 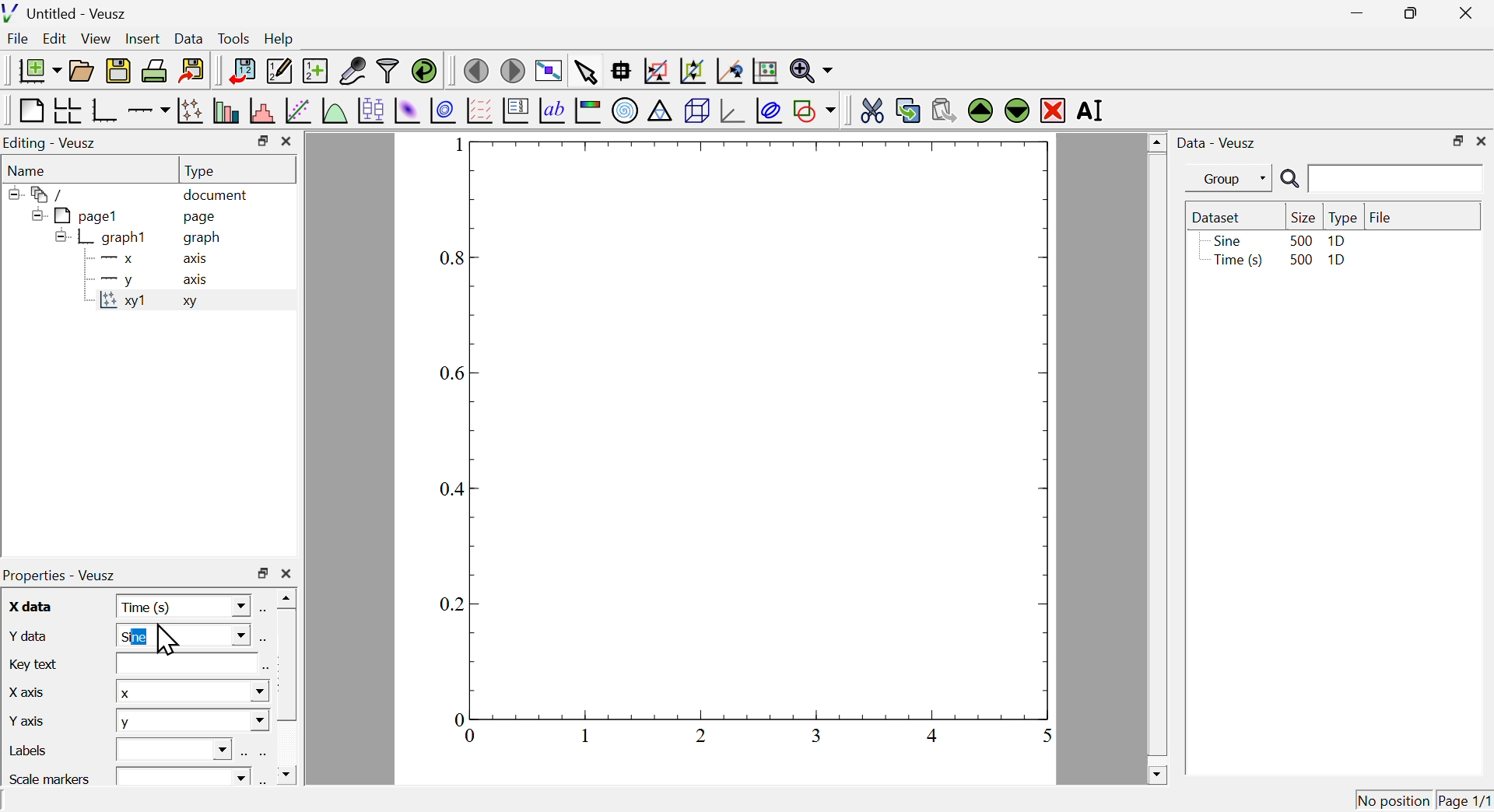 I want to click on polar graph, so click(x=626, y=111).